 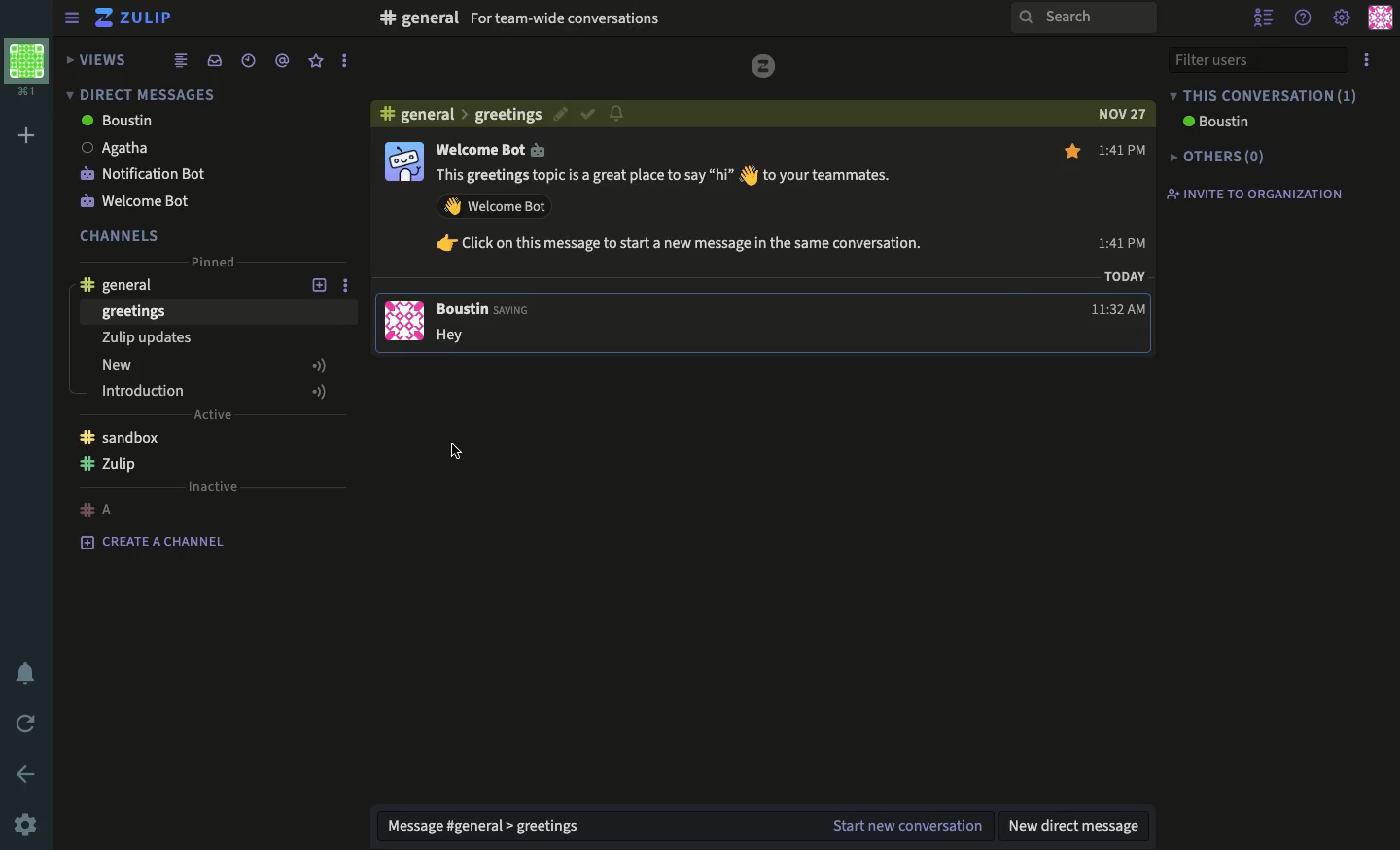 I want to click on workspace profile, so click(x=28, y=69).